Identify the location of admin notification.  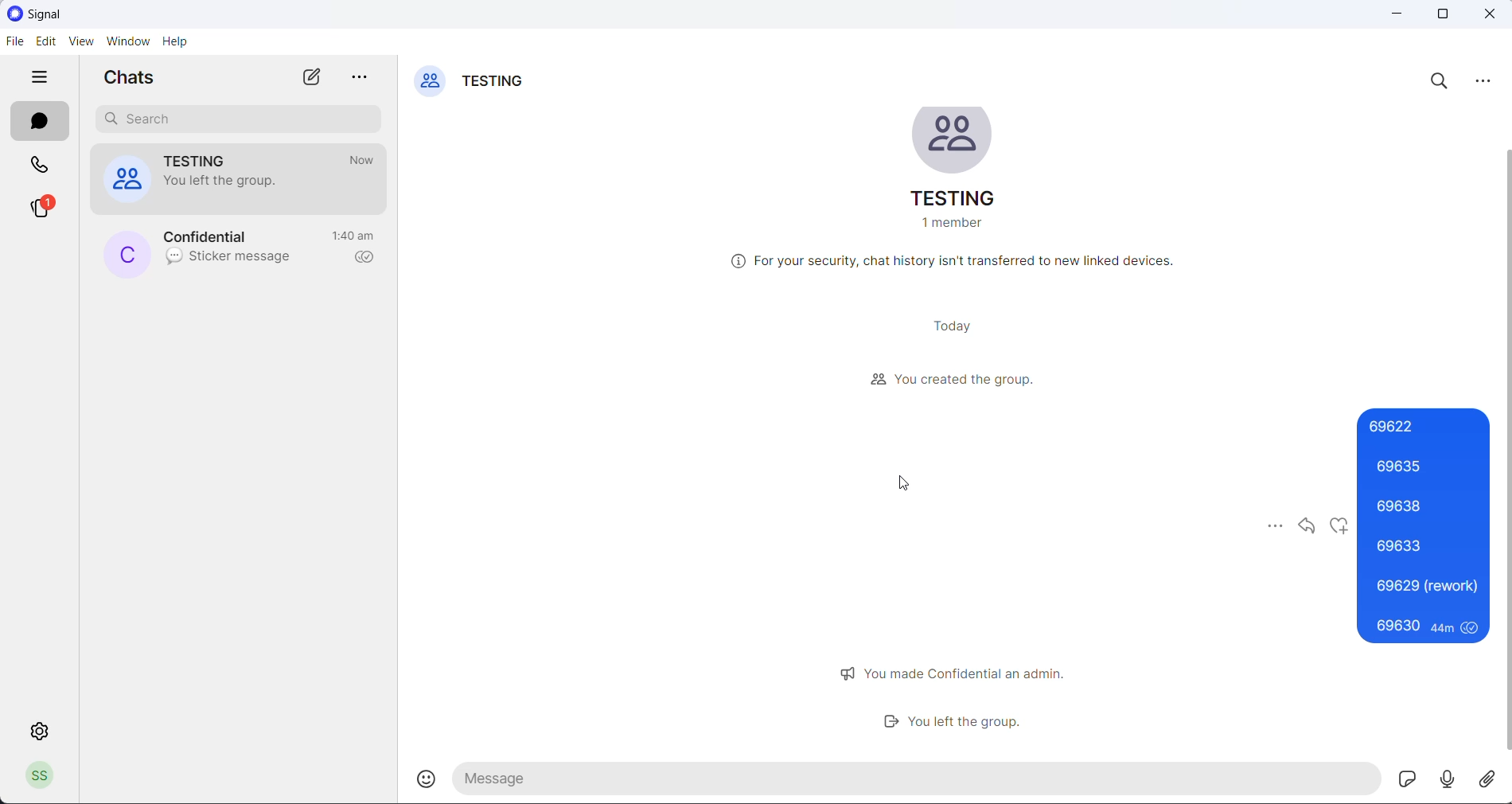
(961, 672).